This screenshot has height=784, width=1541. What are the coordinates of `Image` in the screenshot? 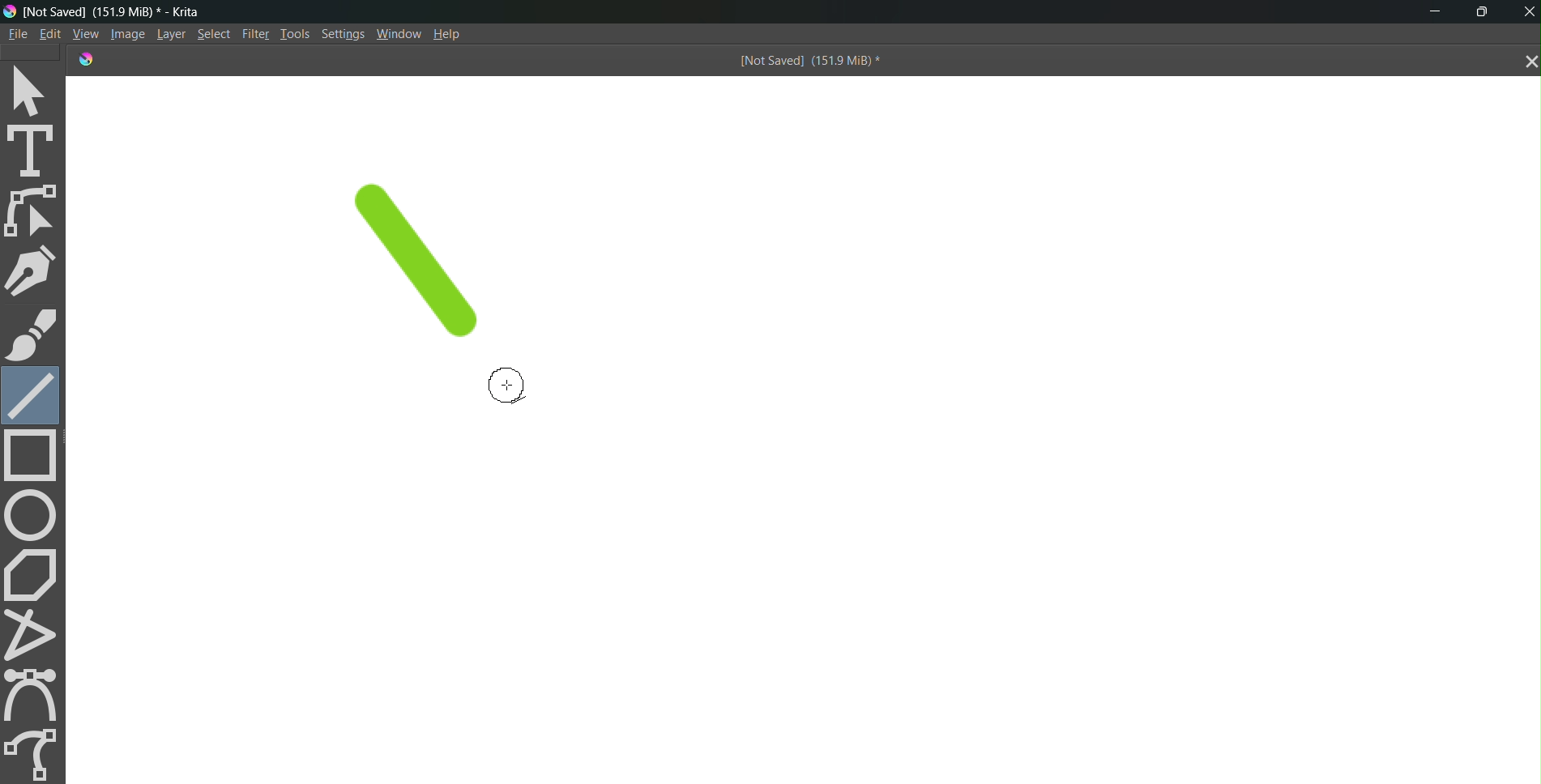 It's located at (125, 35).